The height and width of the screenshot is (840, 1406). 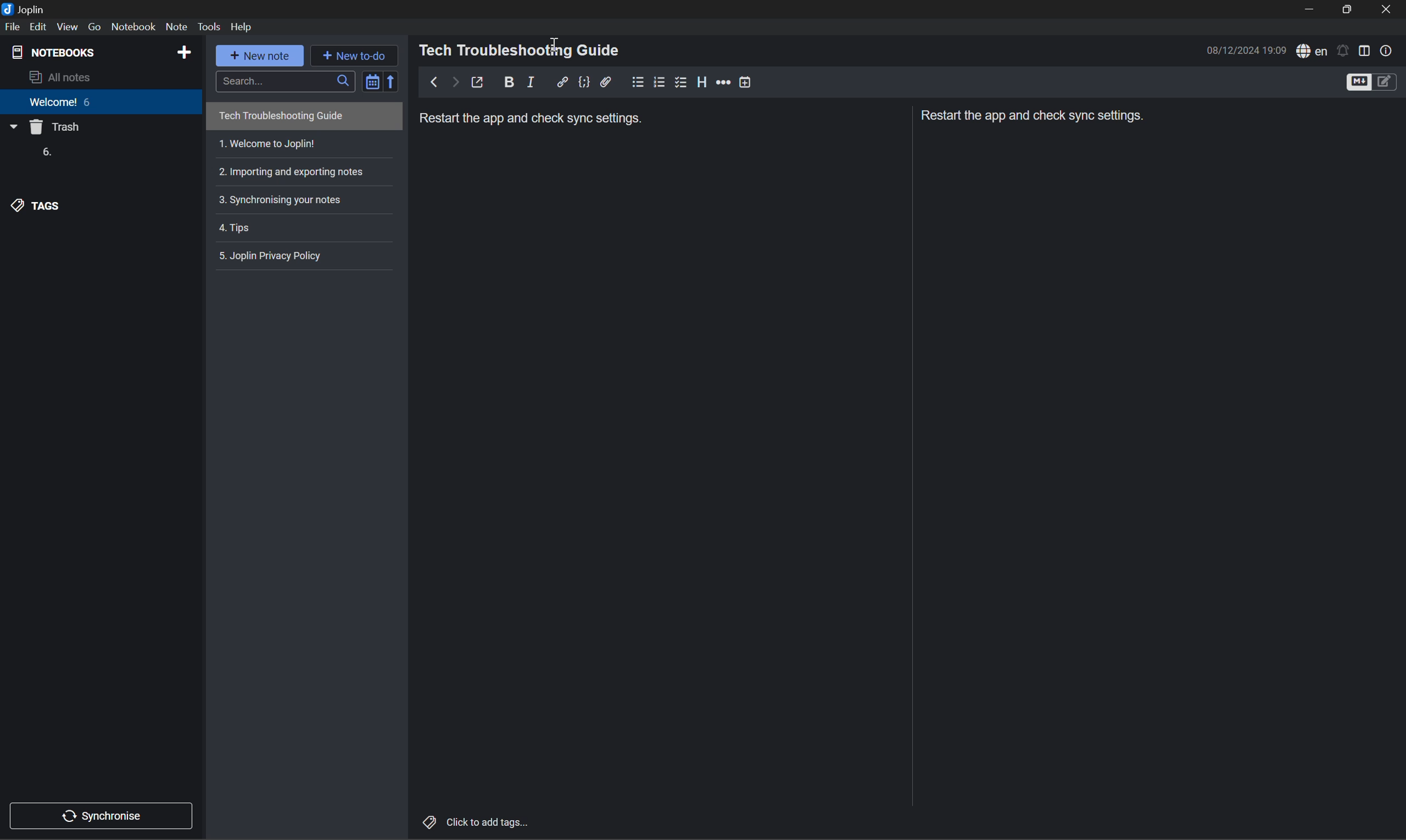 What do you see at coordinates (1314, 10) in the screenshot?
I see `Minimize` at bounding box center [1314, 10].